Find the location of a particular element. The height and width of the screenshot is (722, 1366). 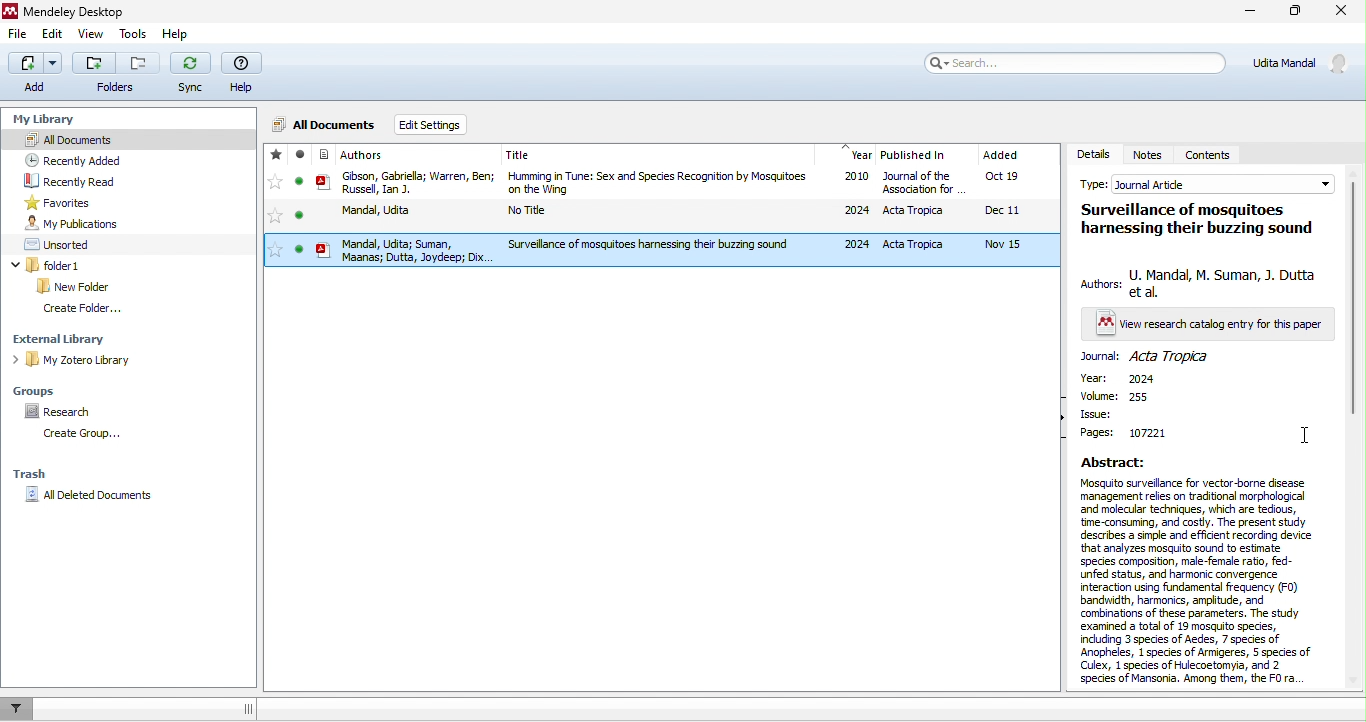

all deleted documents is located at coordinates (90, 494).